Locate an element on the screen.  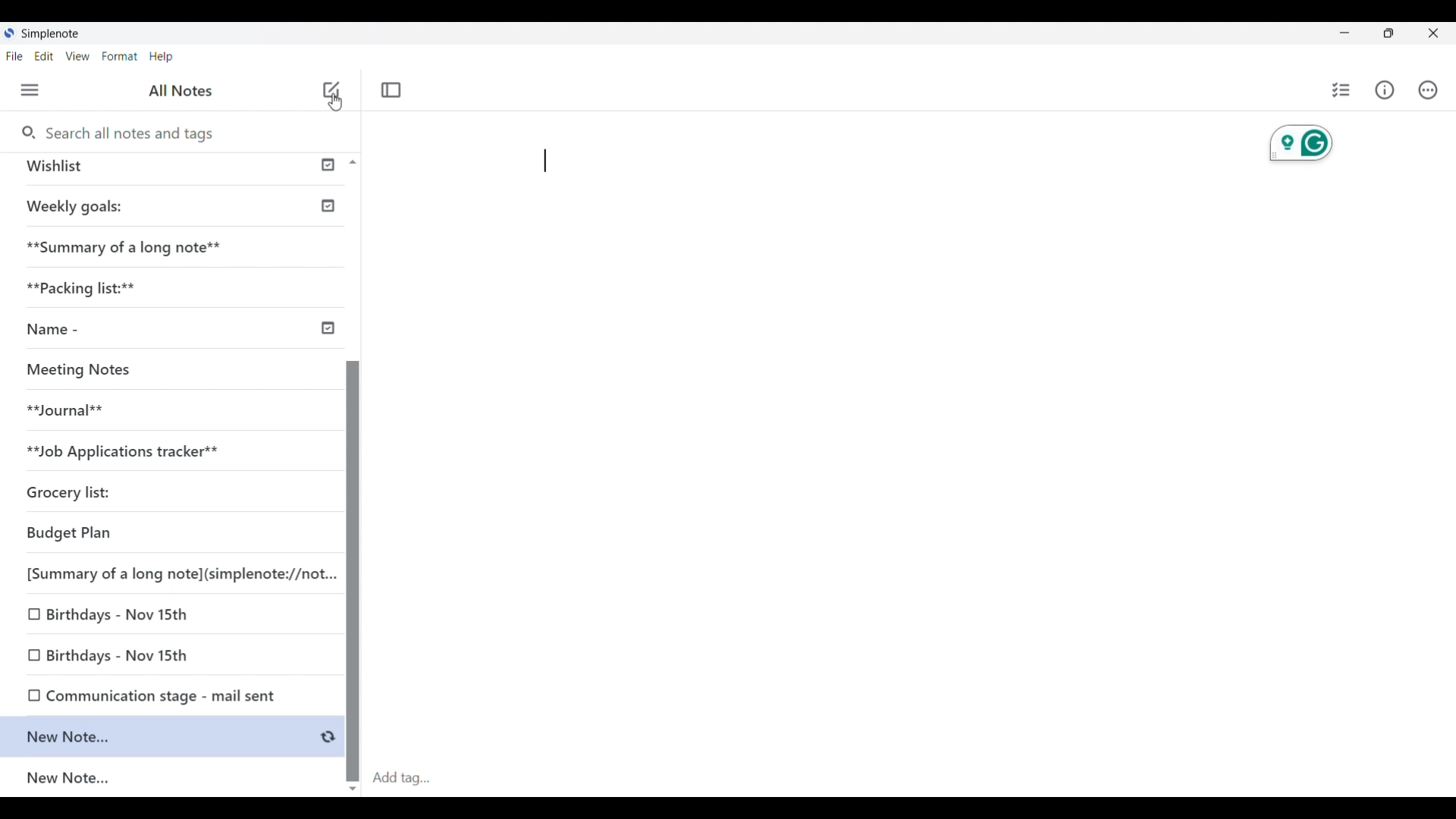
timeline is located at coordinates (327, 208).